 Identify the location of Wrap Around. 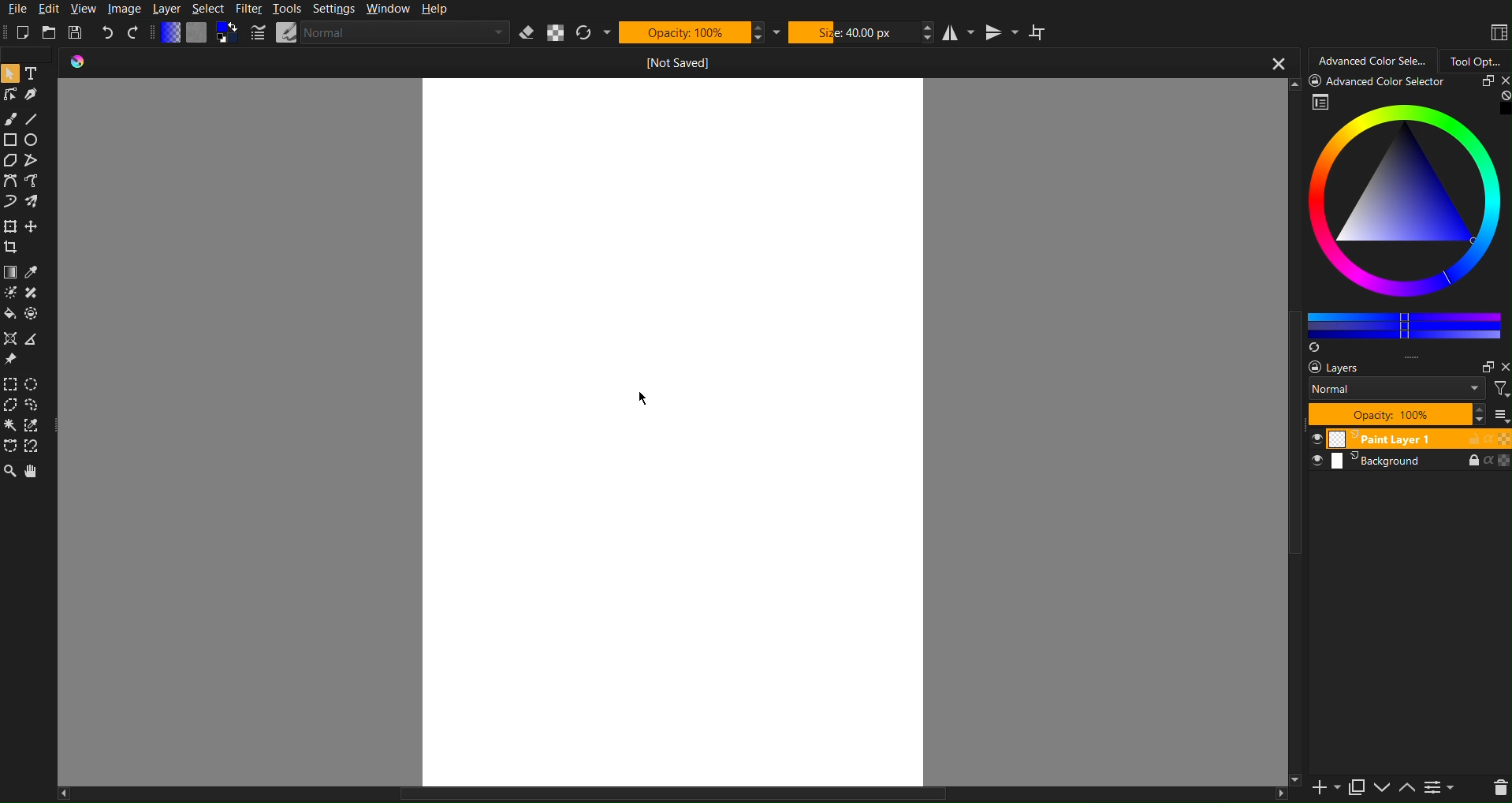
(1040, 32).